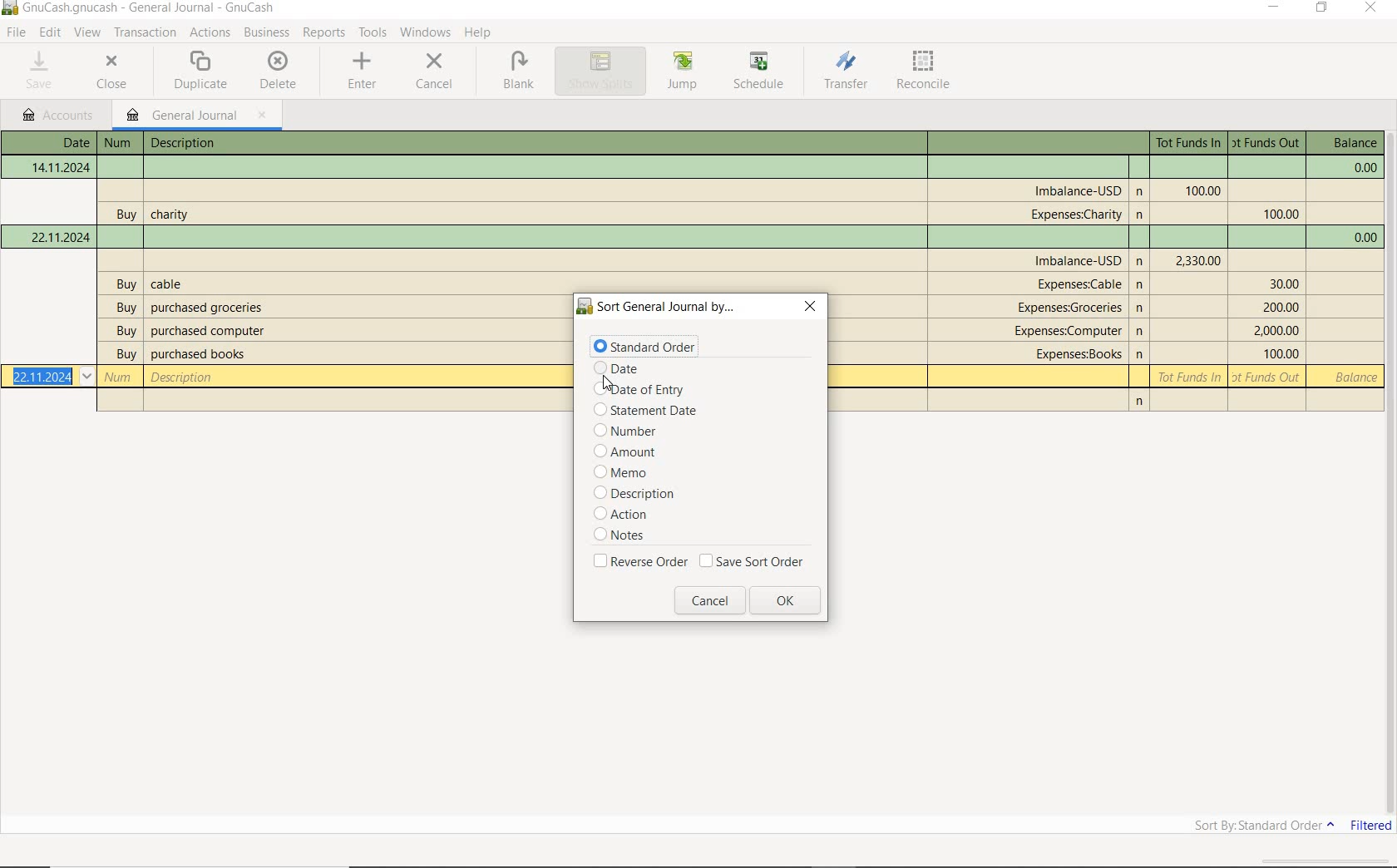 The width and height of the screenshot is (1397, 868). I want to click on buy, so click(124, 215).